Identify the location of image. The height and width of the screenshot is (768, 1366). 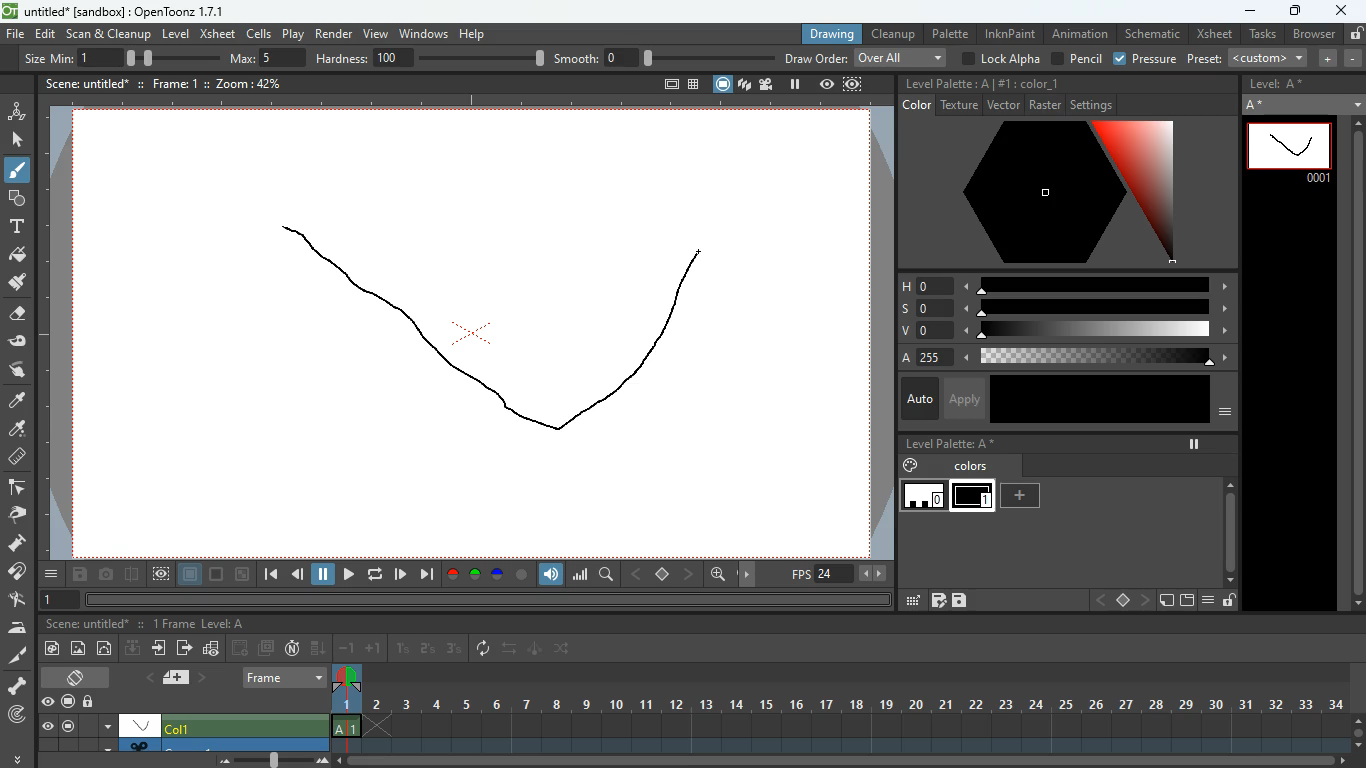
(276, 759).